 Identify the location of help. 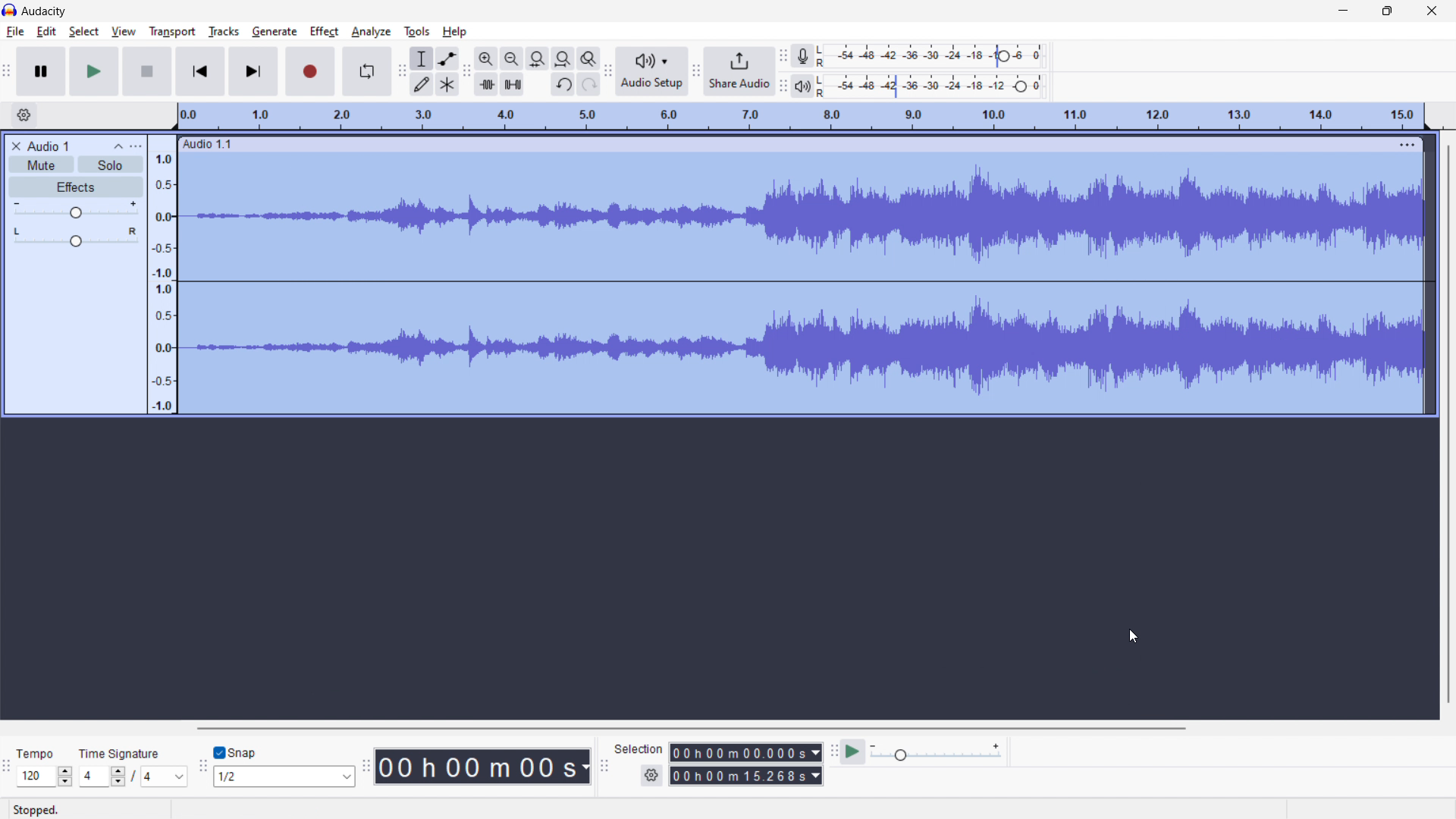
(456, 32).